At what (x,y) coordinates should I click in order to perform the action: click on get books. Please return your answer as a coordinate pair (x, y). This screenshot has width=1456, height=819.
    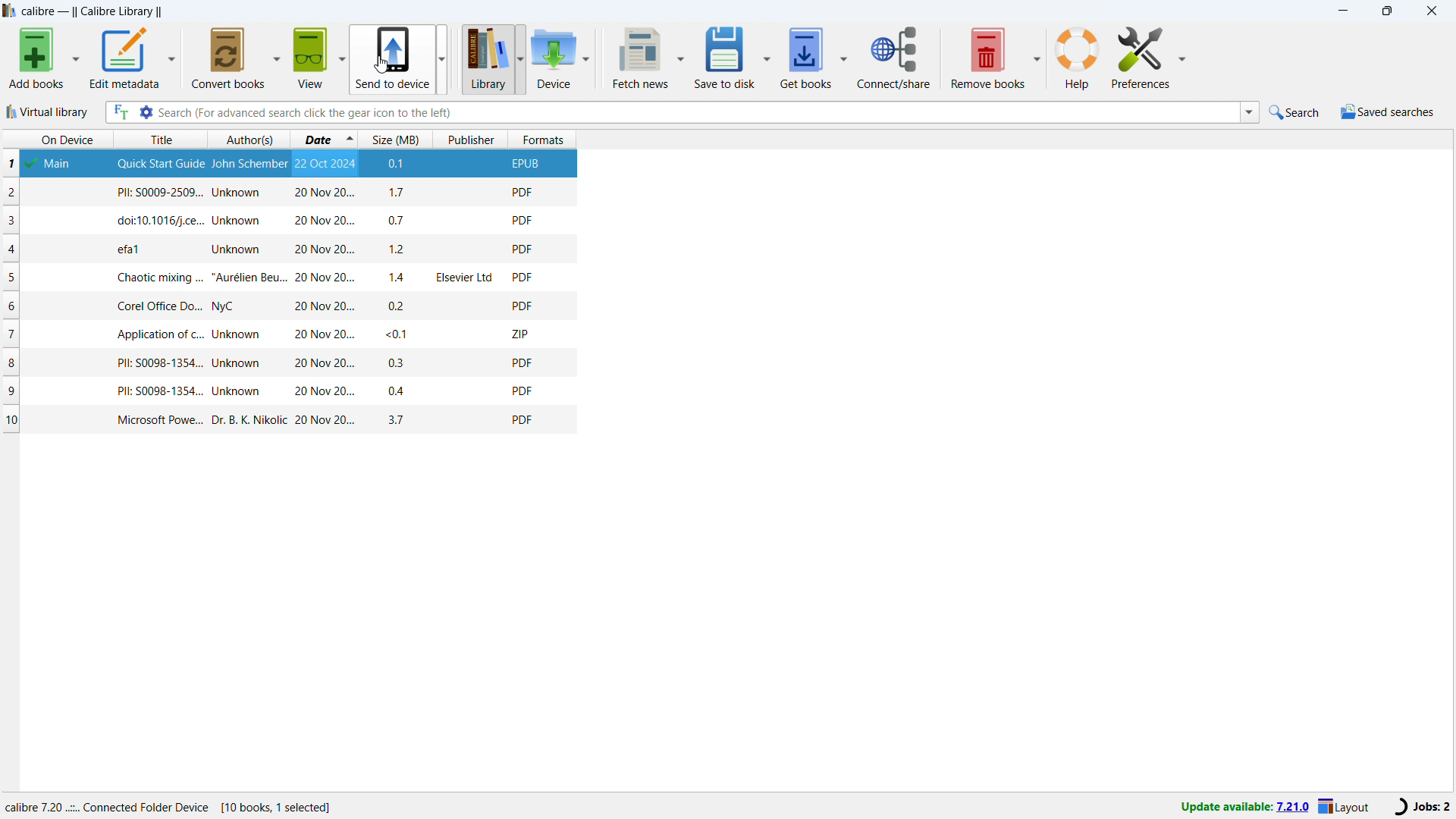
    Looking at the image, I should click on (805, 58).